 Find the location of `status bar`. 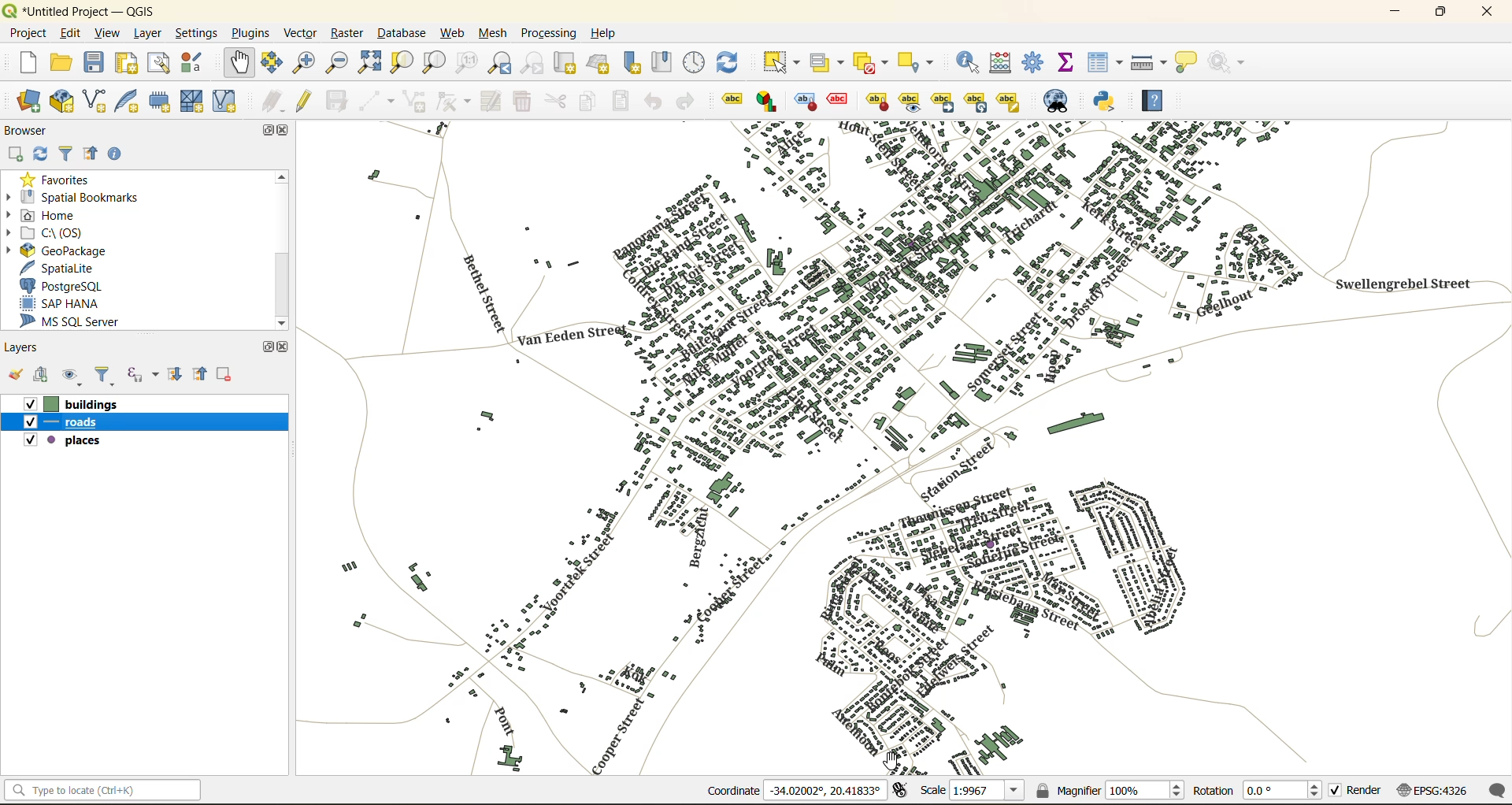

status bar is located at coordinates (105, 792).